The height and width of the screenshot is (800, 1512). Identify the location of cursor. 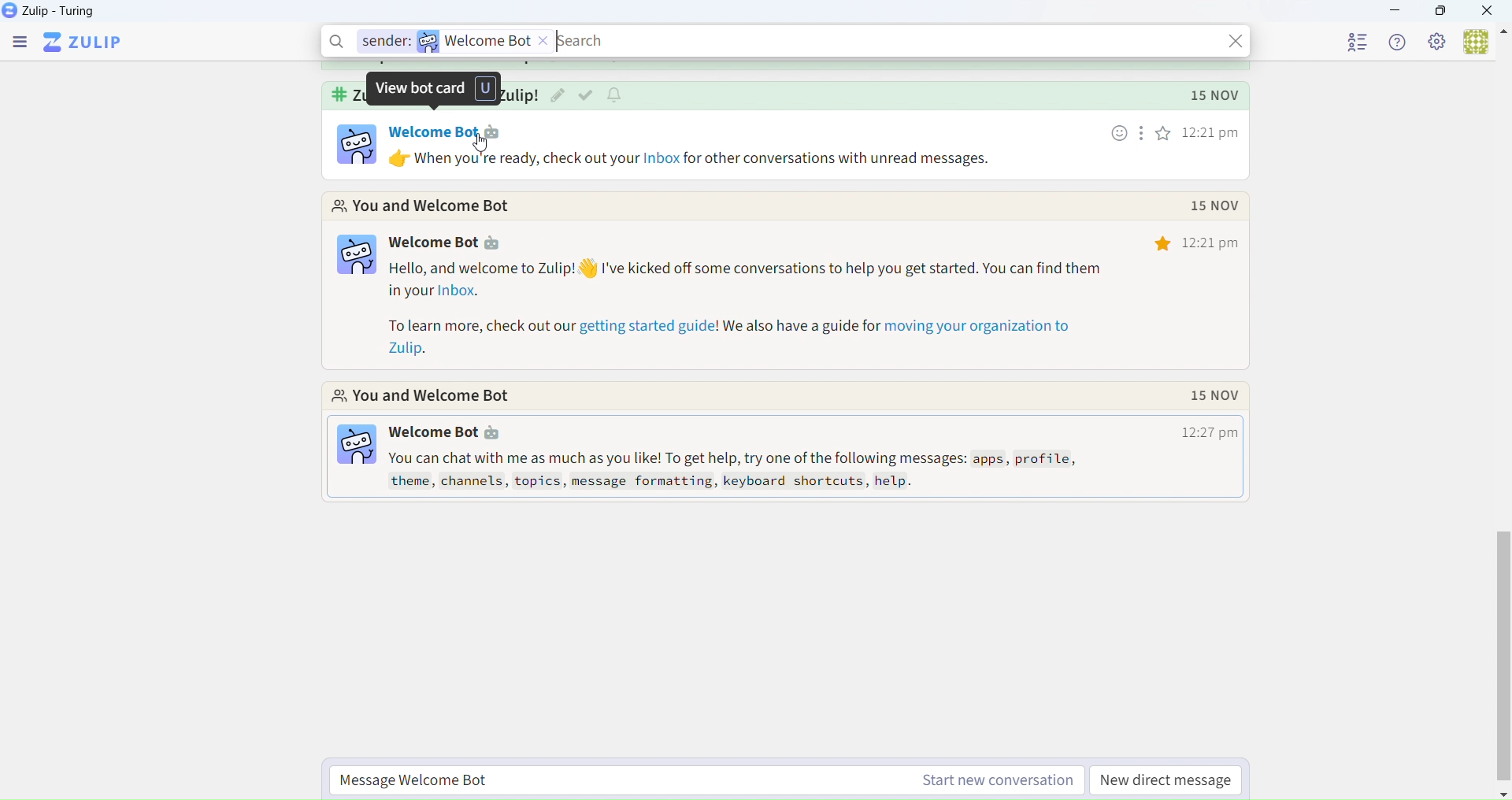
(486, 146).